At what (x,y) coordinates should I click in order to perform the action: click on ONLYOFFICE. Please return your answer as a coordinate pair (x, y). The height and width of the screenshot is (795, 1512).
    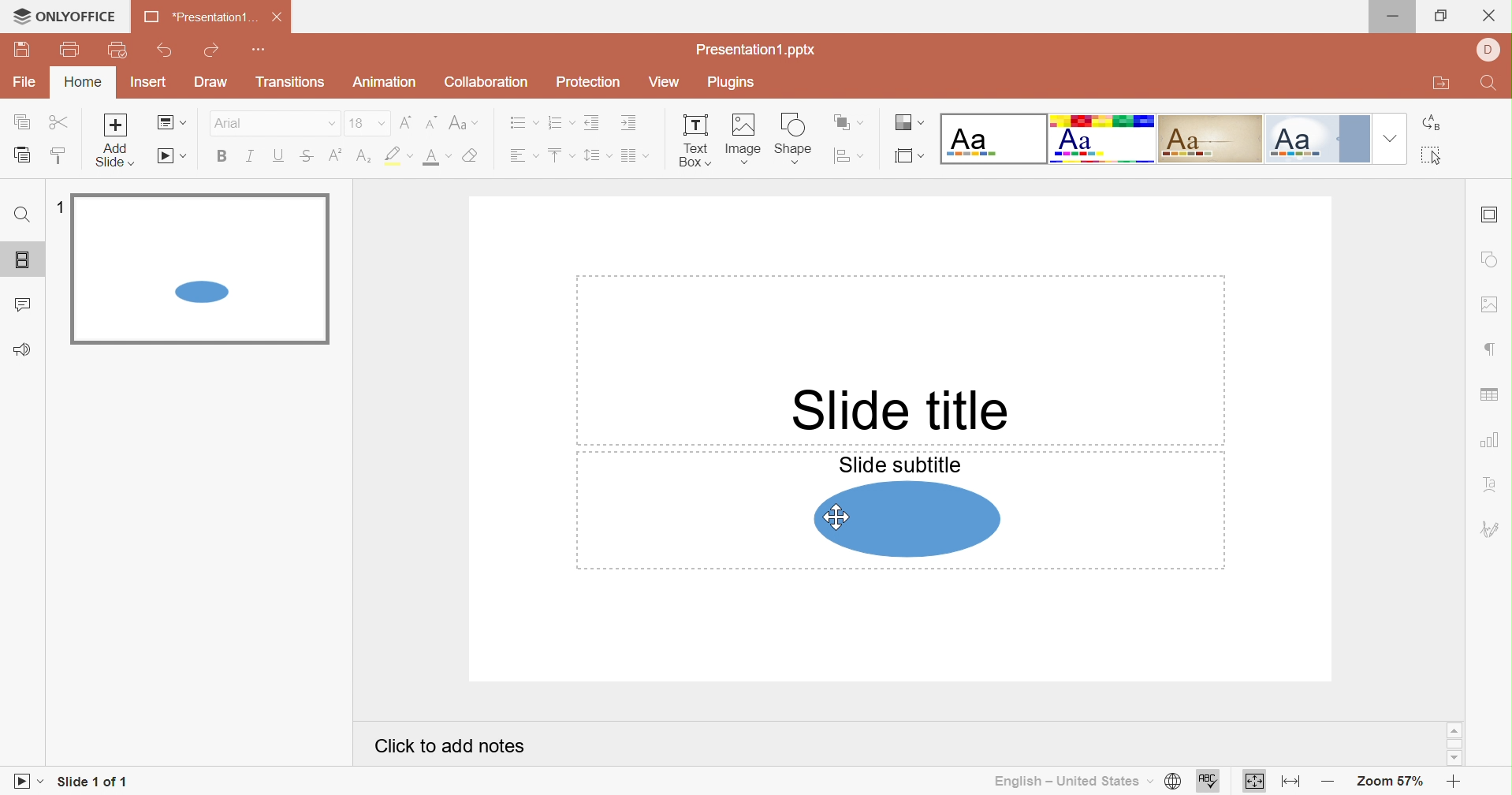
    Looking at the image, I should click on (61, 15).